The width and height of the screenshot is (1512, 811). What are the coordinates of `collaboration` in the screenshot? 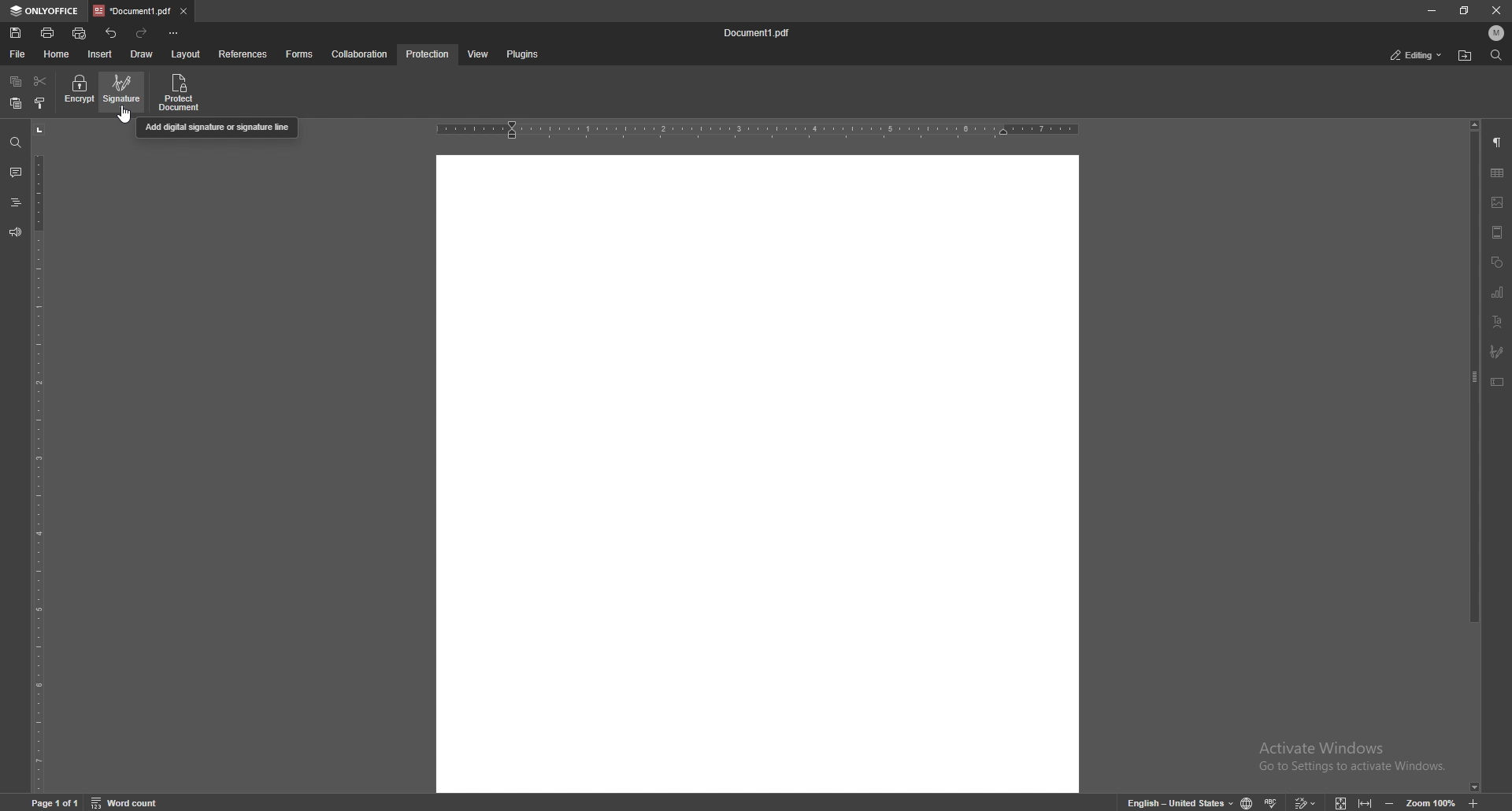 It's located at (361, 54).